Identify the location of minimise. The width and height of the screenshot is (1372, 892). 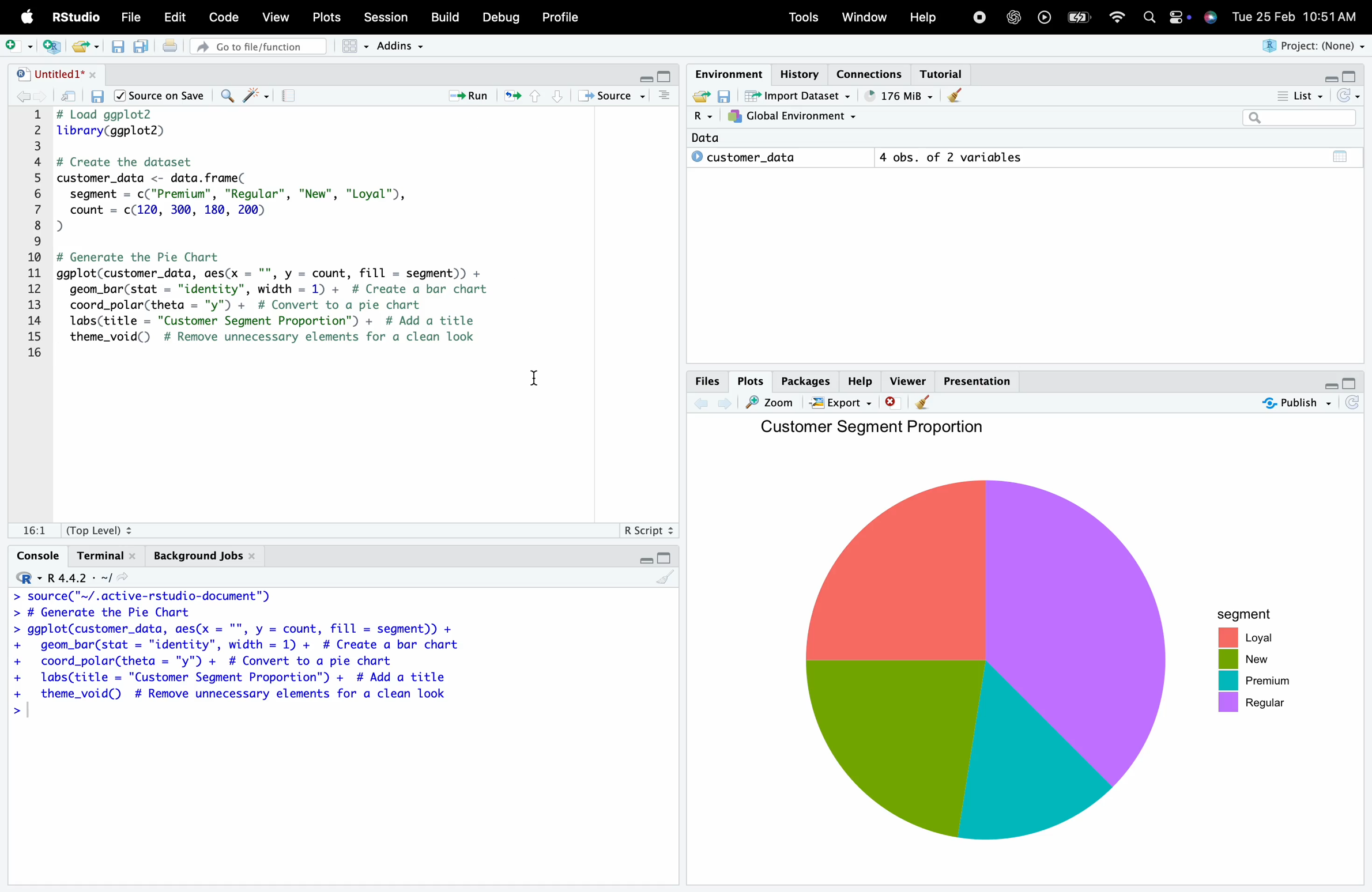
(1327, 79).